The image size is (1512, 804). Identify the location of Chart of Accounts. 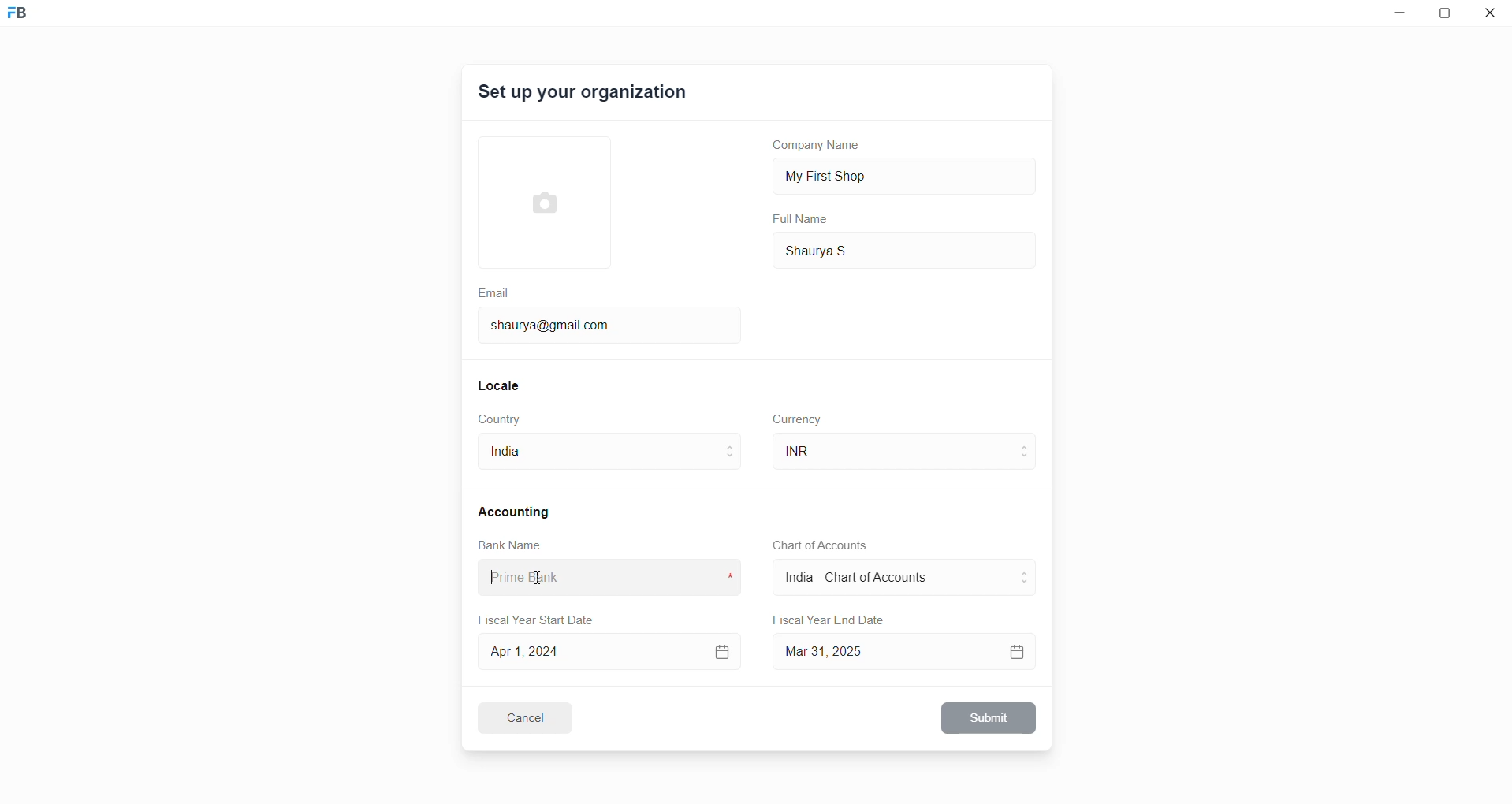
(815, 545).